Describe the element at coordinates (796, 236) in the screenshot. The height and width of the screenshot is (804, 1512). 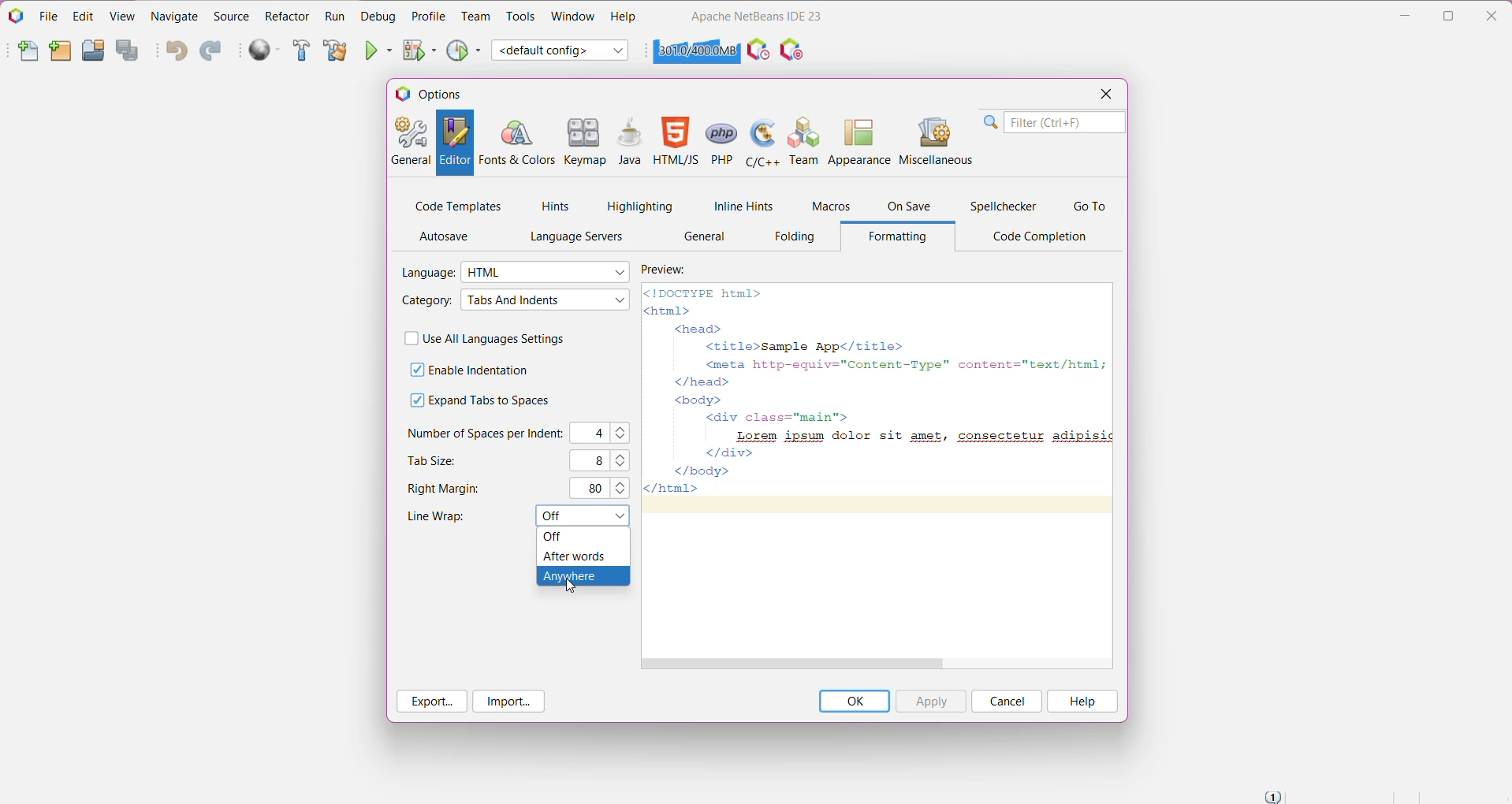
I see `Folding` at that location.